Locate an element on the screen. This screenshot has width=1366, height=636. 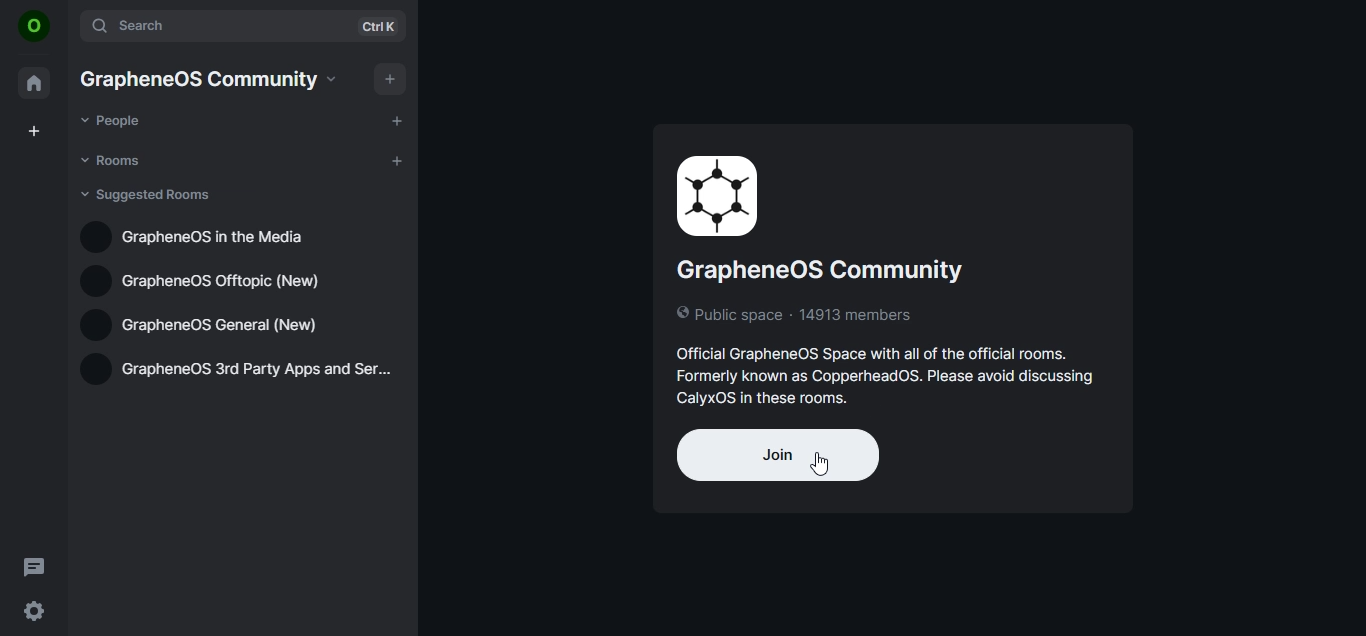
grapheneos 3rd party apps and services is located at coordinates (235, 373).